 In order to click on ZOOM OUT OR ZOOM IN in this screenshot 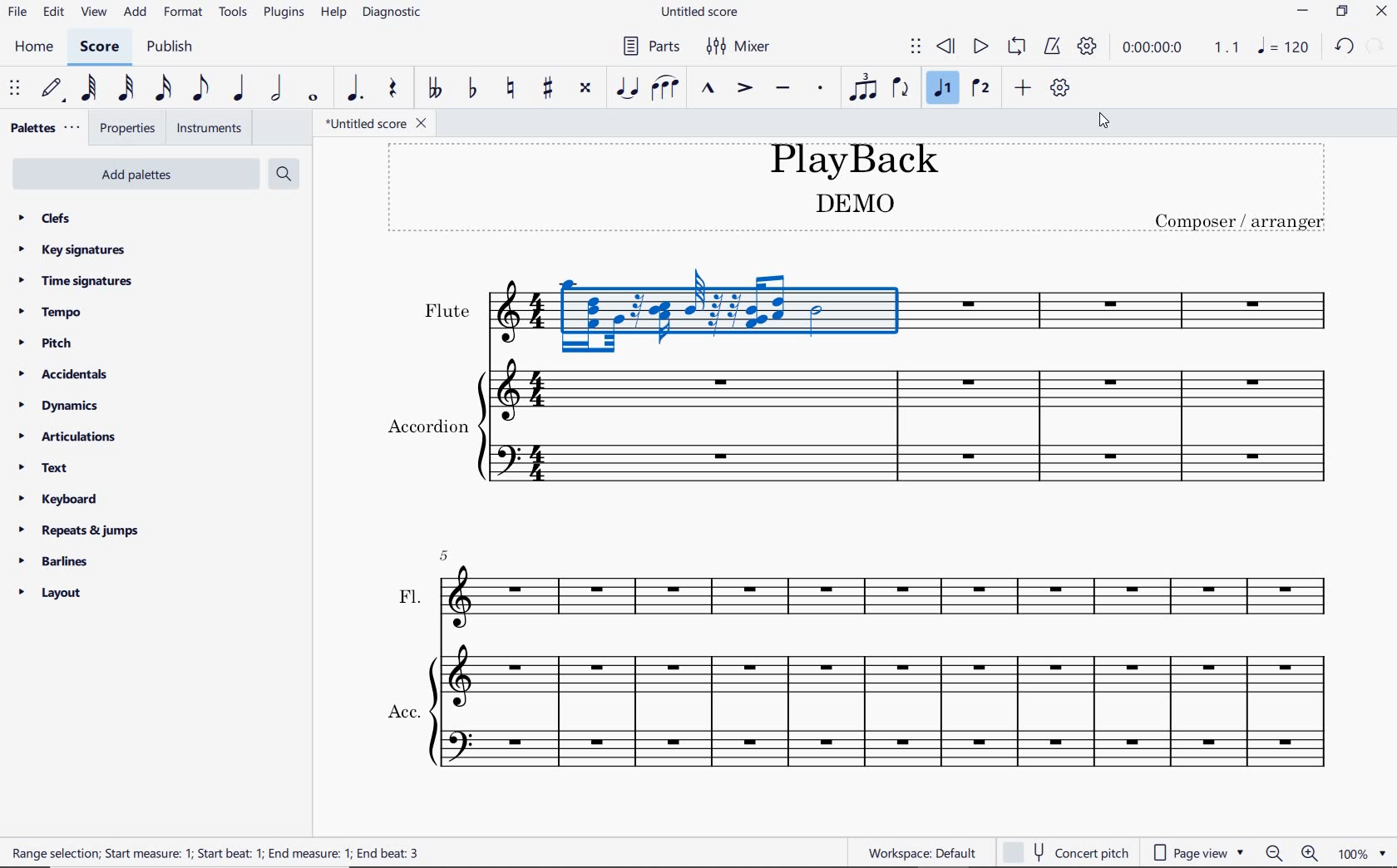, I will do `click(1291, 852)`.